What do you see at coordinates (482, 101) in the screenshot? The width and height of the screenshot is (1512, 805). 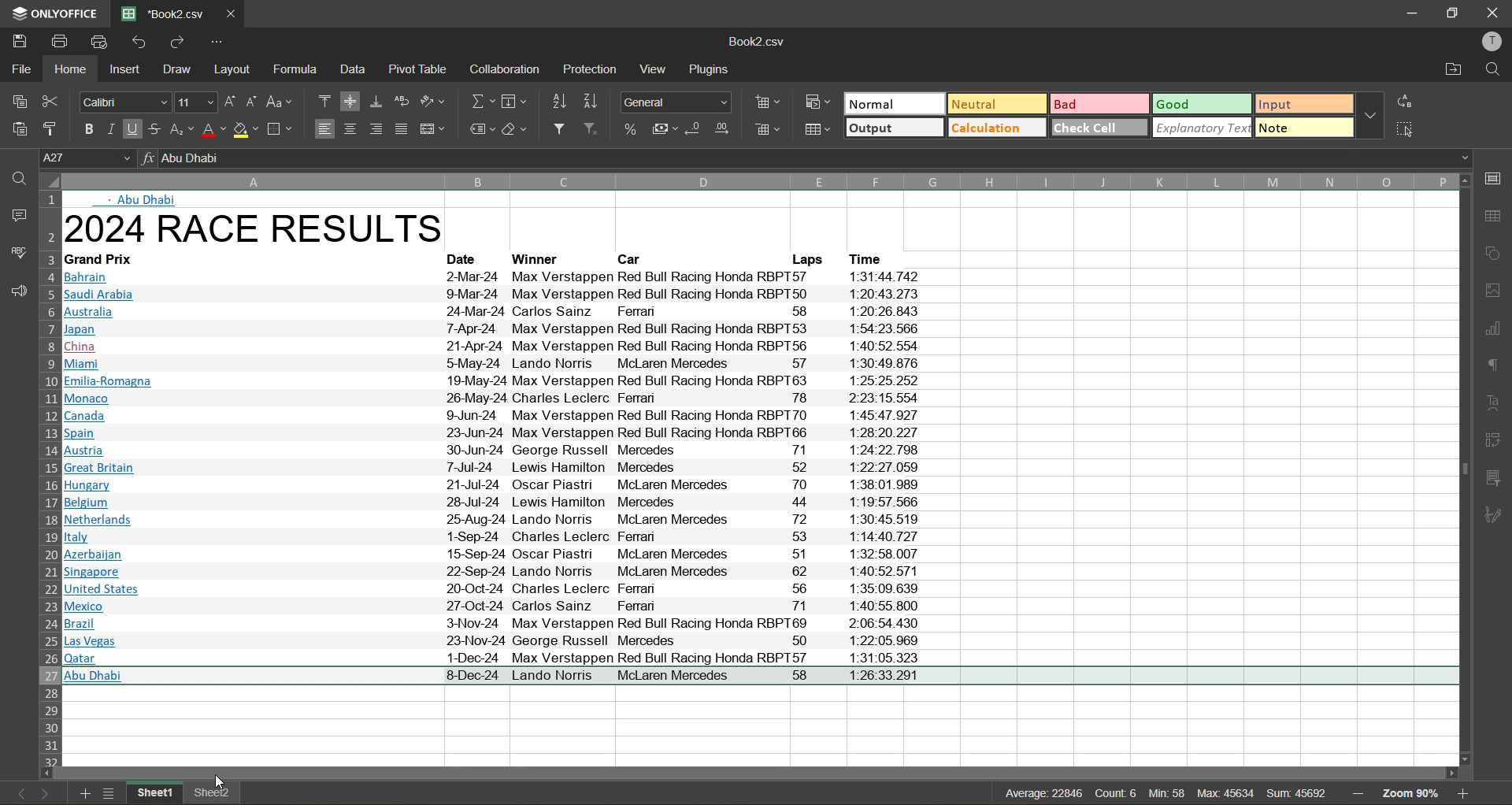 I see `summation` at bounding box center [482, 101].